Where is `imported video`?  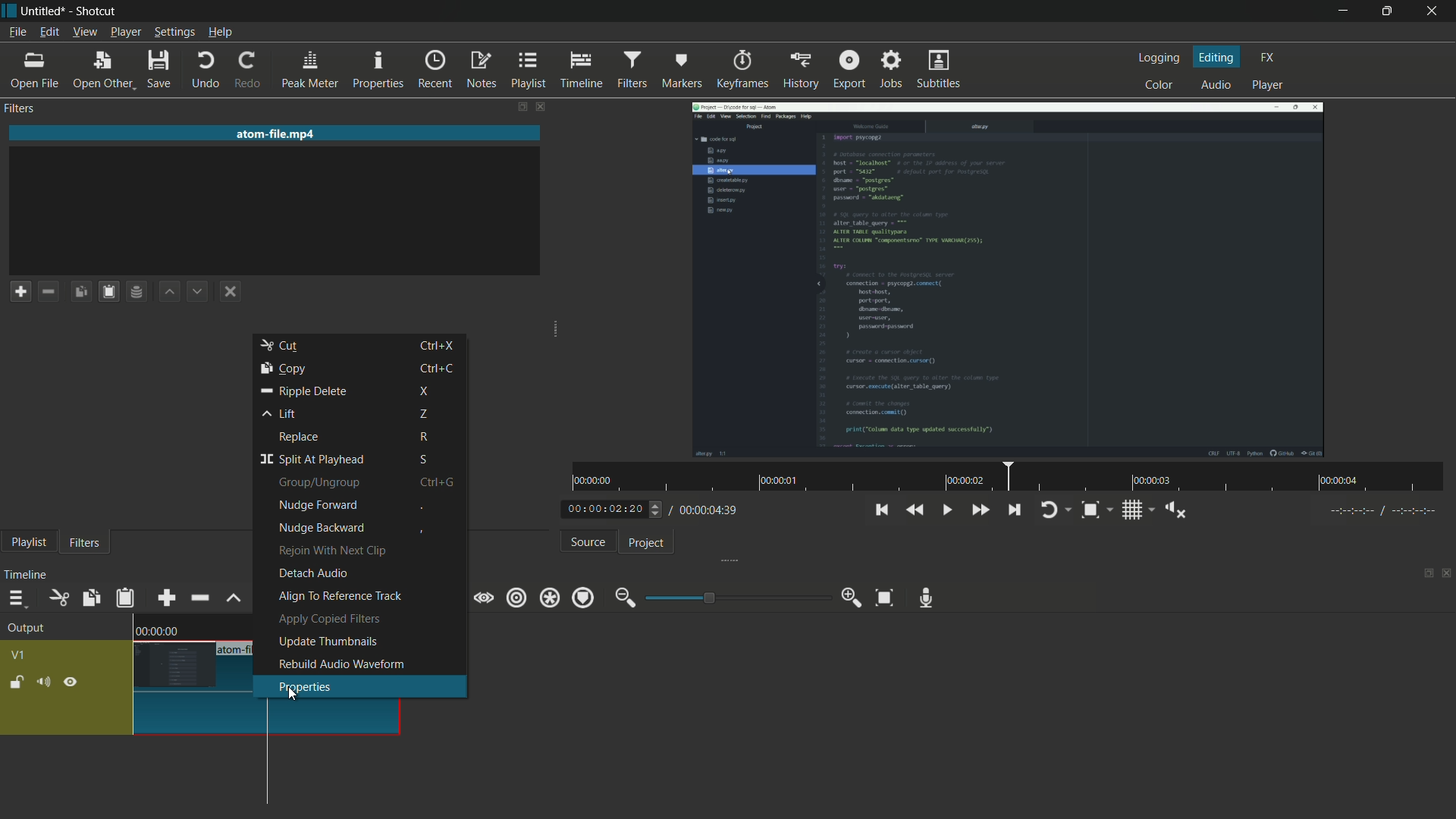
imported video is located at coordinates (1009, 278).